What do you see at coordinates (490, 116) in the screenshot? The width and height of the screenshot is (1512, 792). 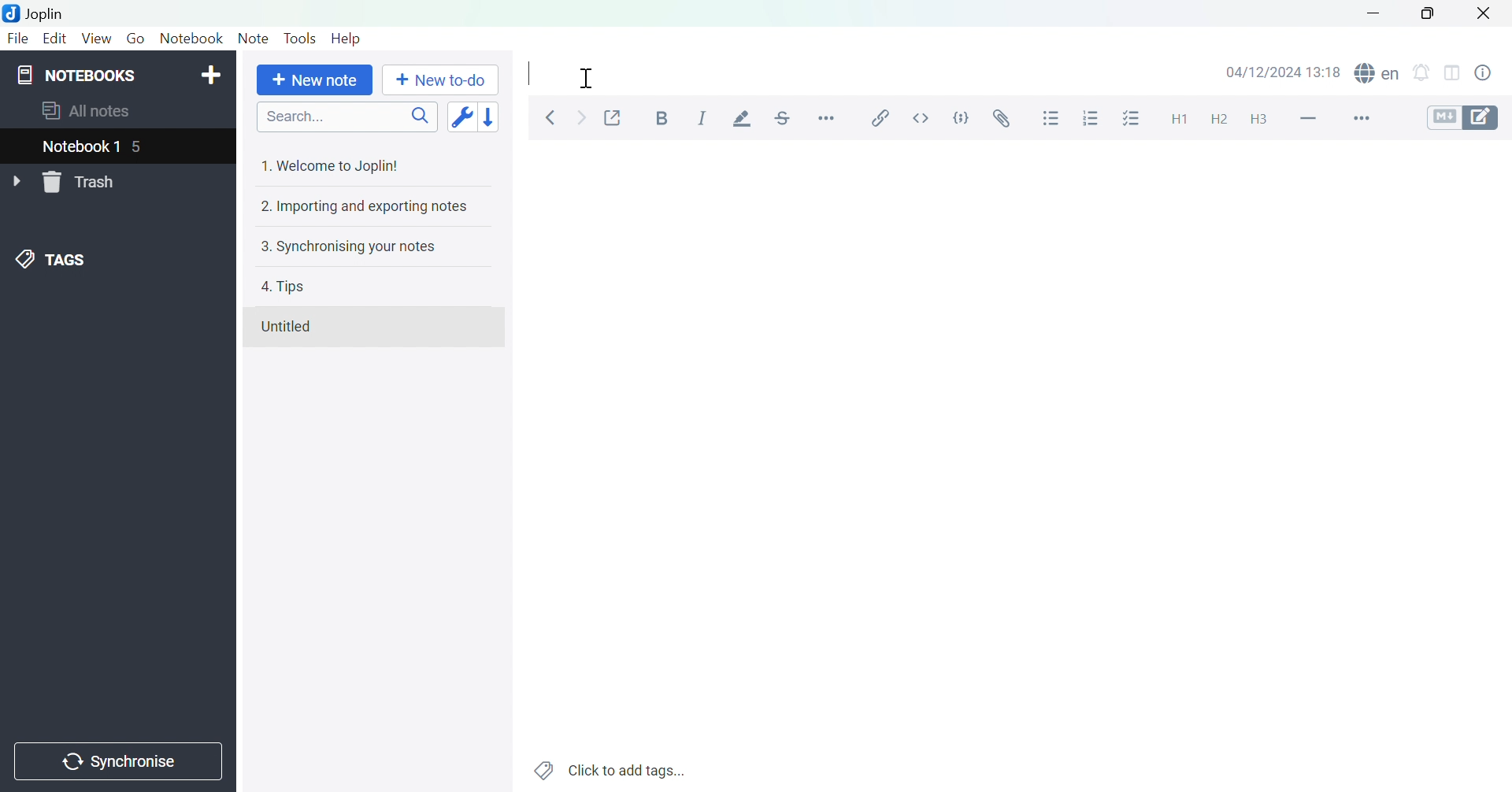 I see `Reverse sort order` at bounding box center [490, 116].